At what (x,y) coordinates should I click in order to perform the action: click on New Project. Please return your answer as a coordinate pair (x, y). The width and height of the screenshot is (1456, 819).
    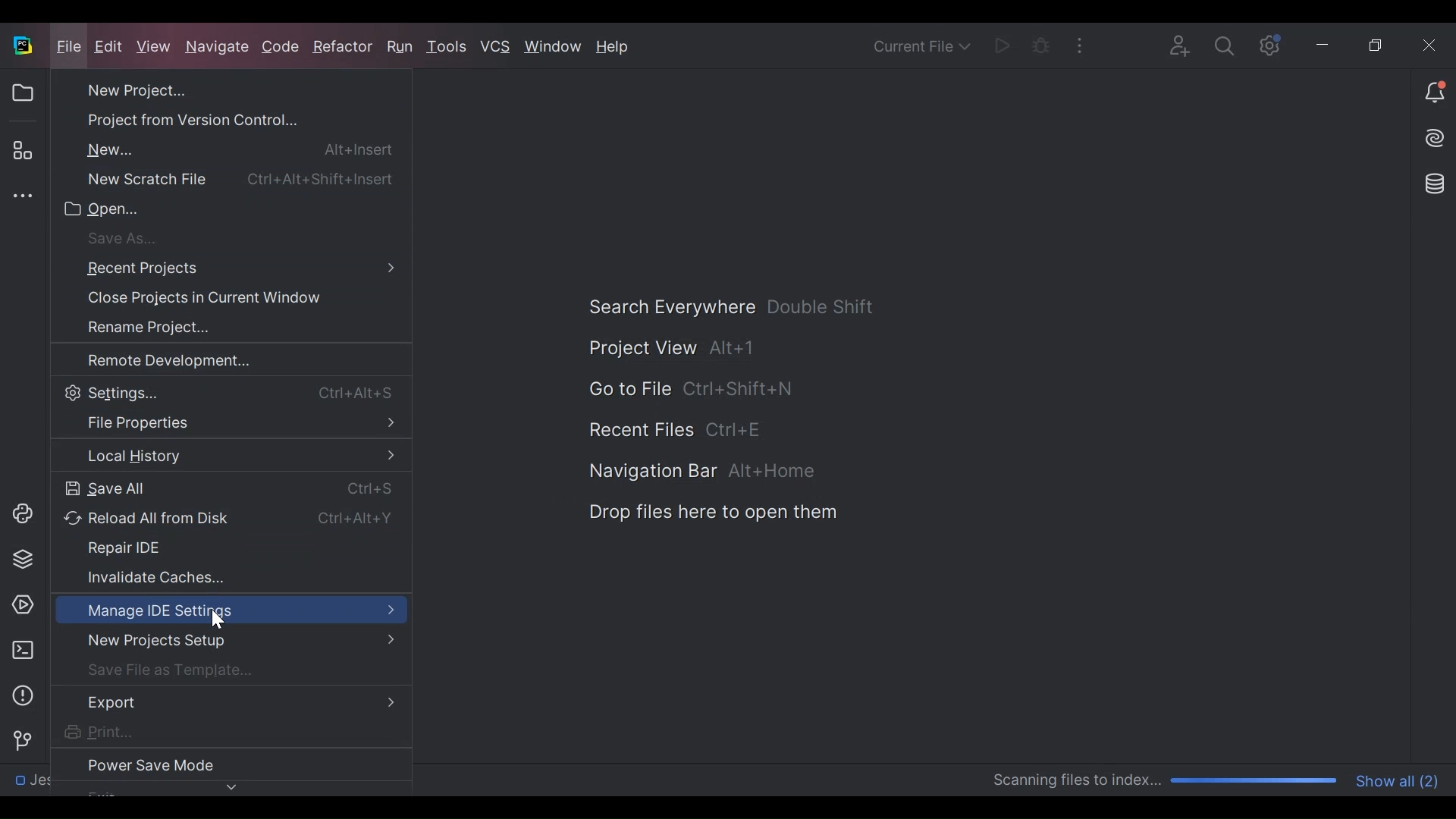
    Looking at the image, I should click on (206, 90).